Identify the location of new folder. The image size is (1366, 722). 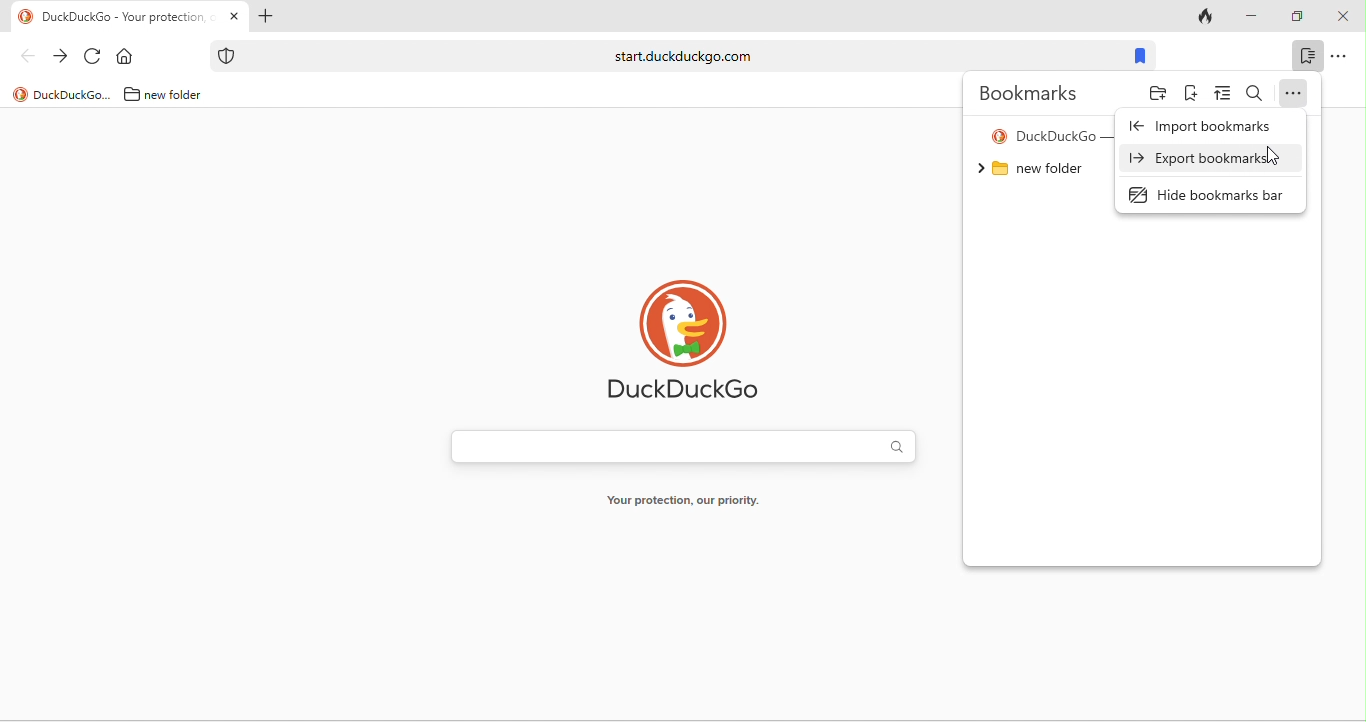
(165, 94).